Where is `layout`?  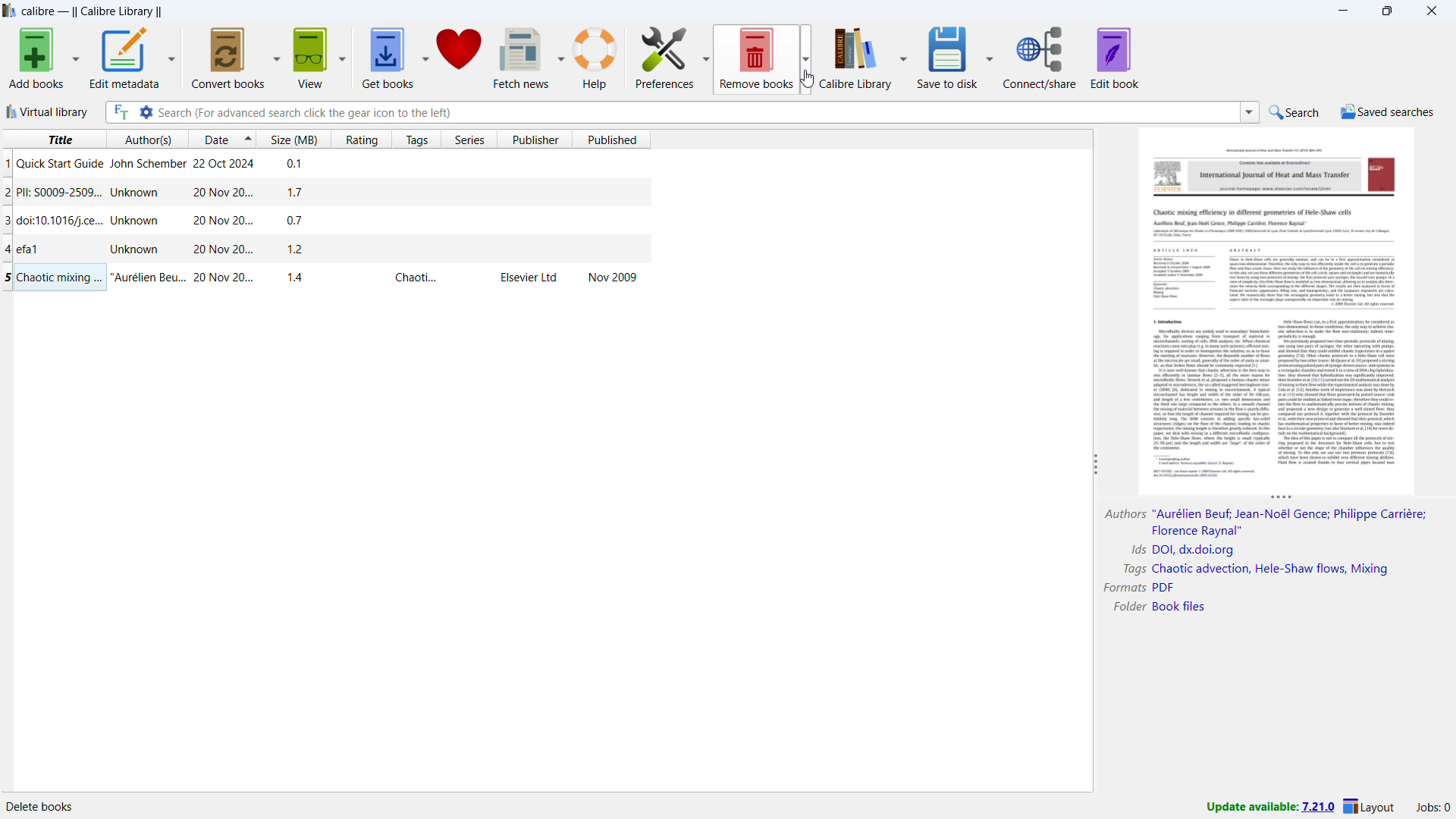
layout is located at coordinates (1371, 807).